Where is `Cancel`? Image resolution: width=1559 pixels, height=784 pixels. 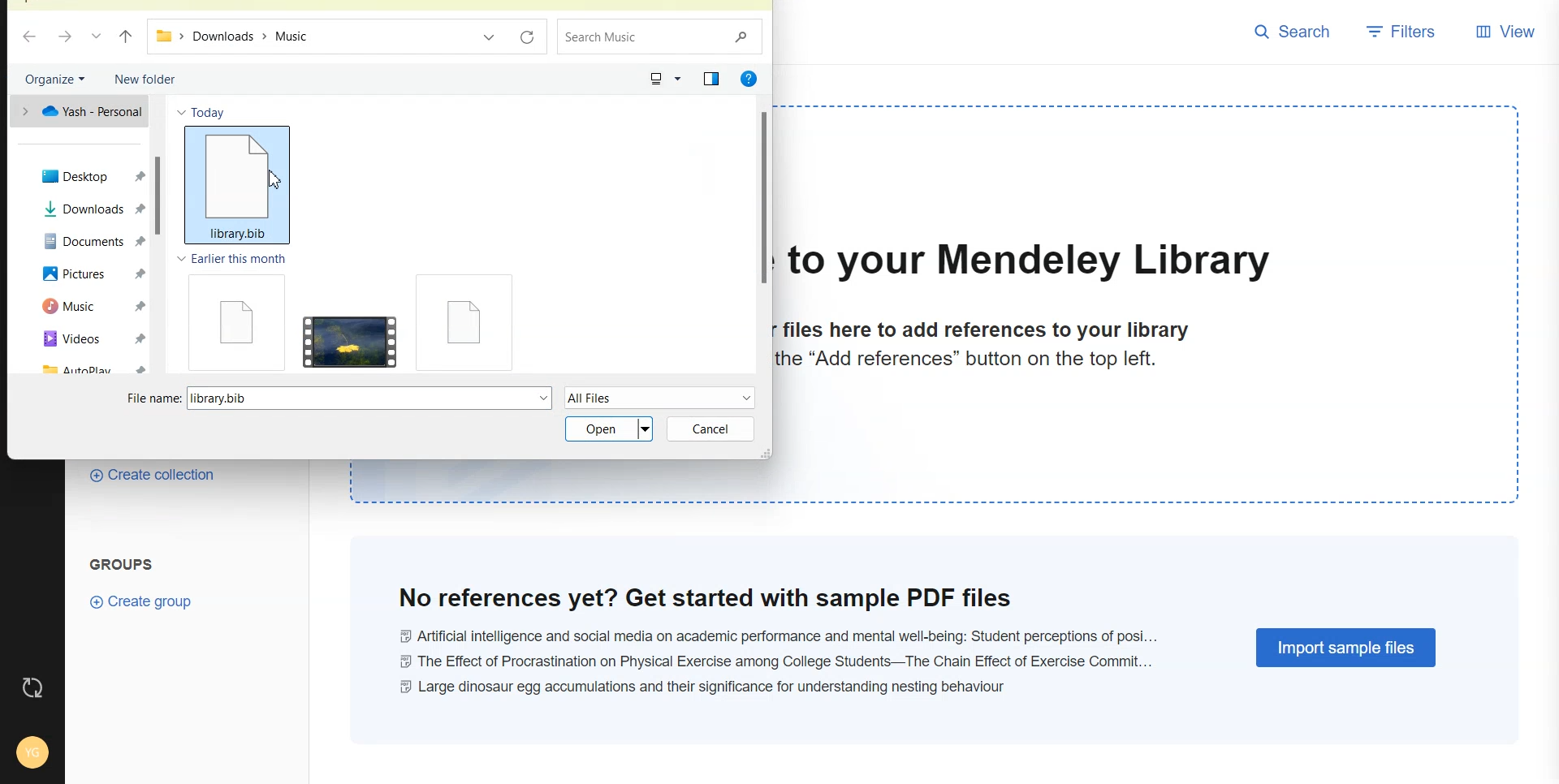
Cancel is located at coordinates (712, 429).